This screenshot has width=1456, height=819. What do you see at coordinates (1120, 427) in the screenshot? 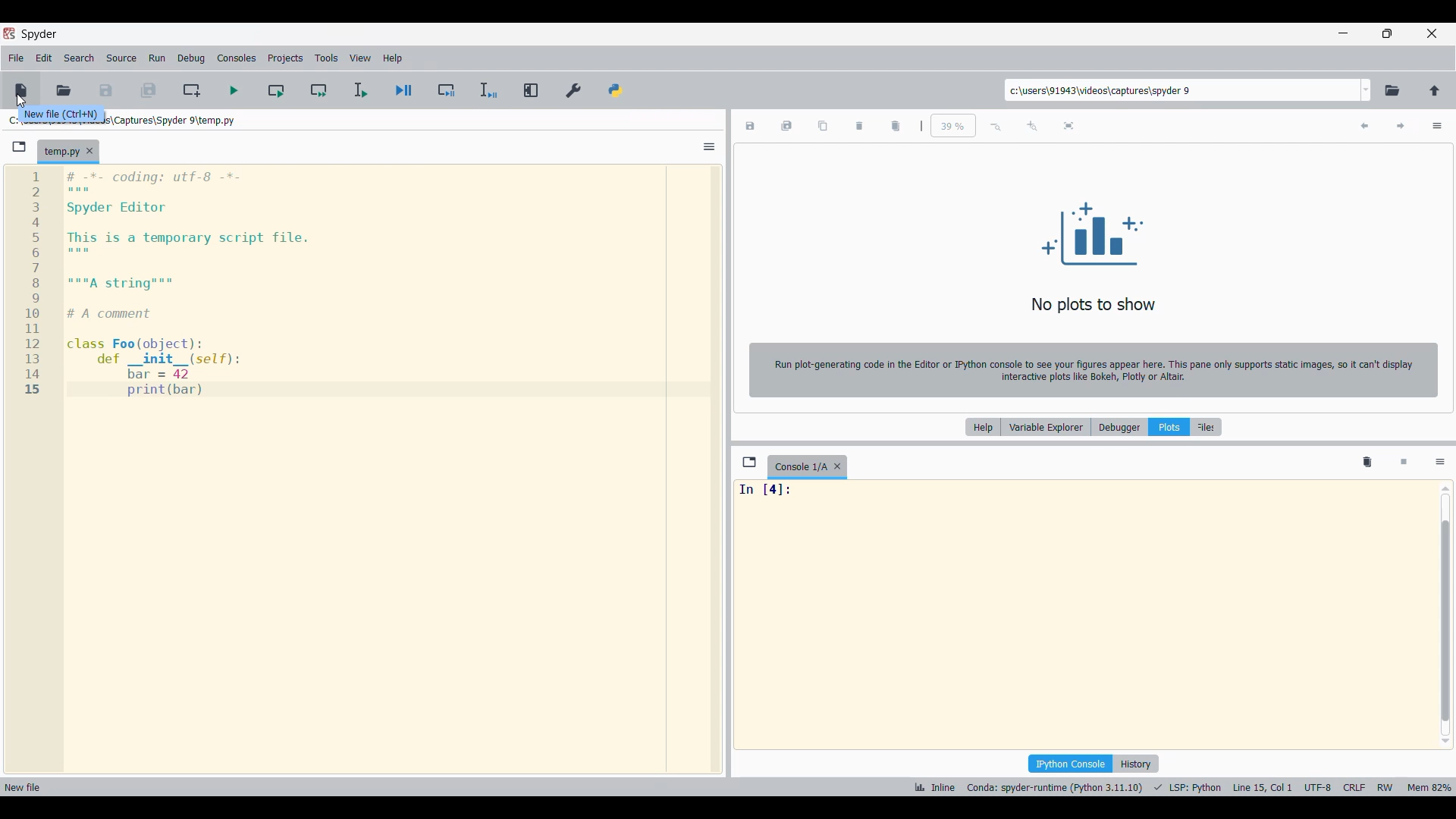
I see `Debugger` at bounding box center [1120, 427].